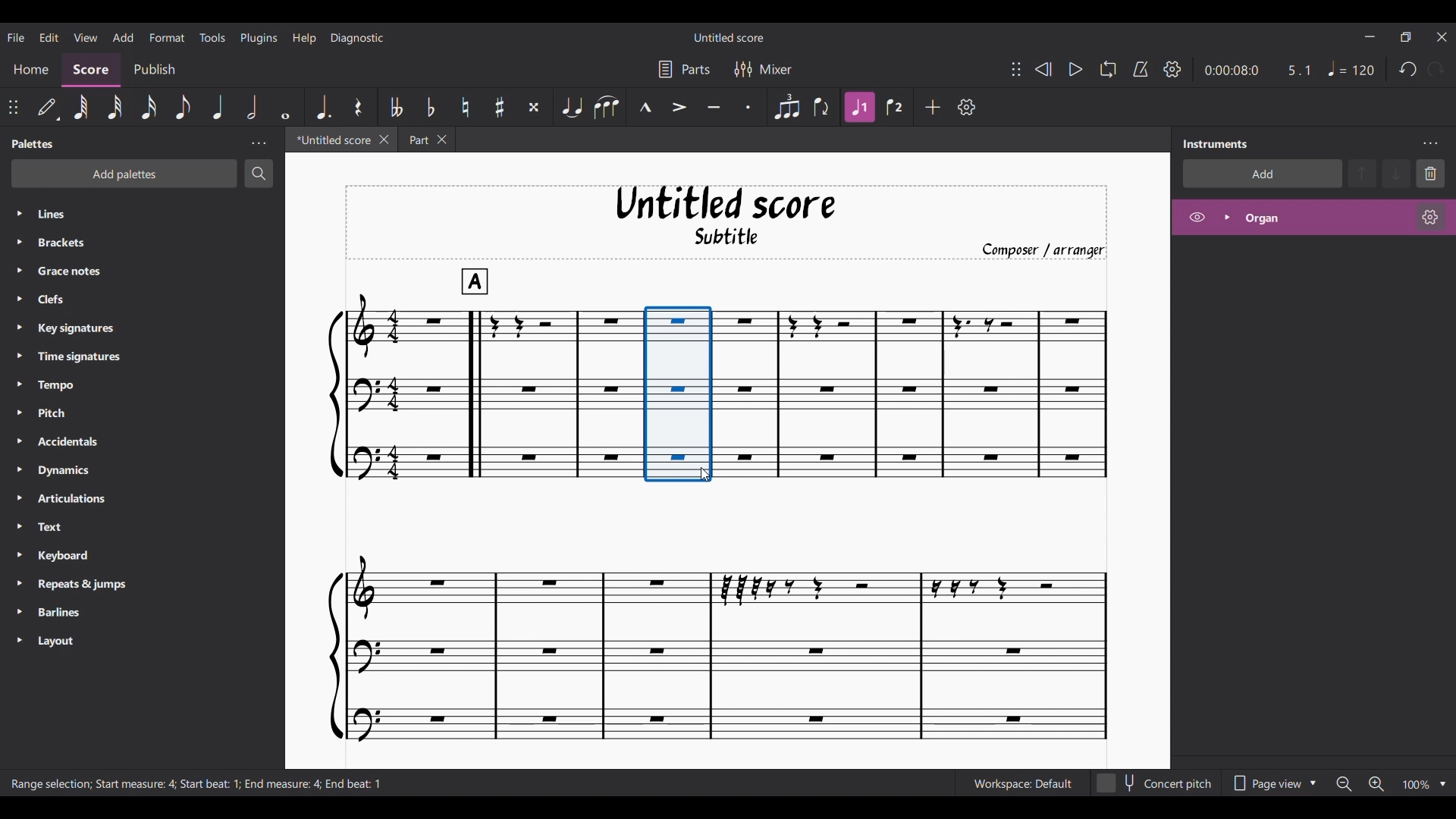 Image resolution: width=1456 pixels, height=819 pixels. I want to click on 64th note, so click(81, 108).